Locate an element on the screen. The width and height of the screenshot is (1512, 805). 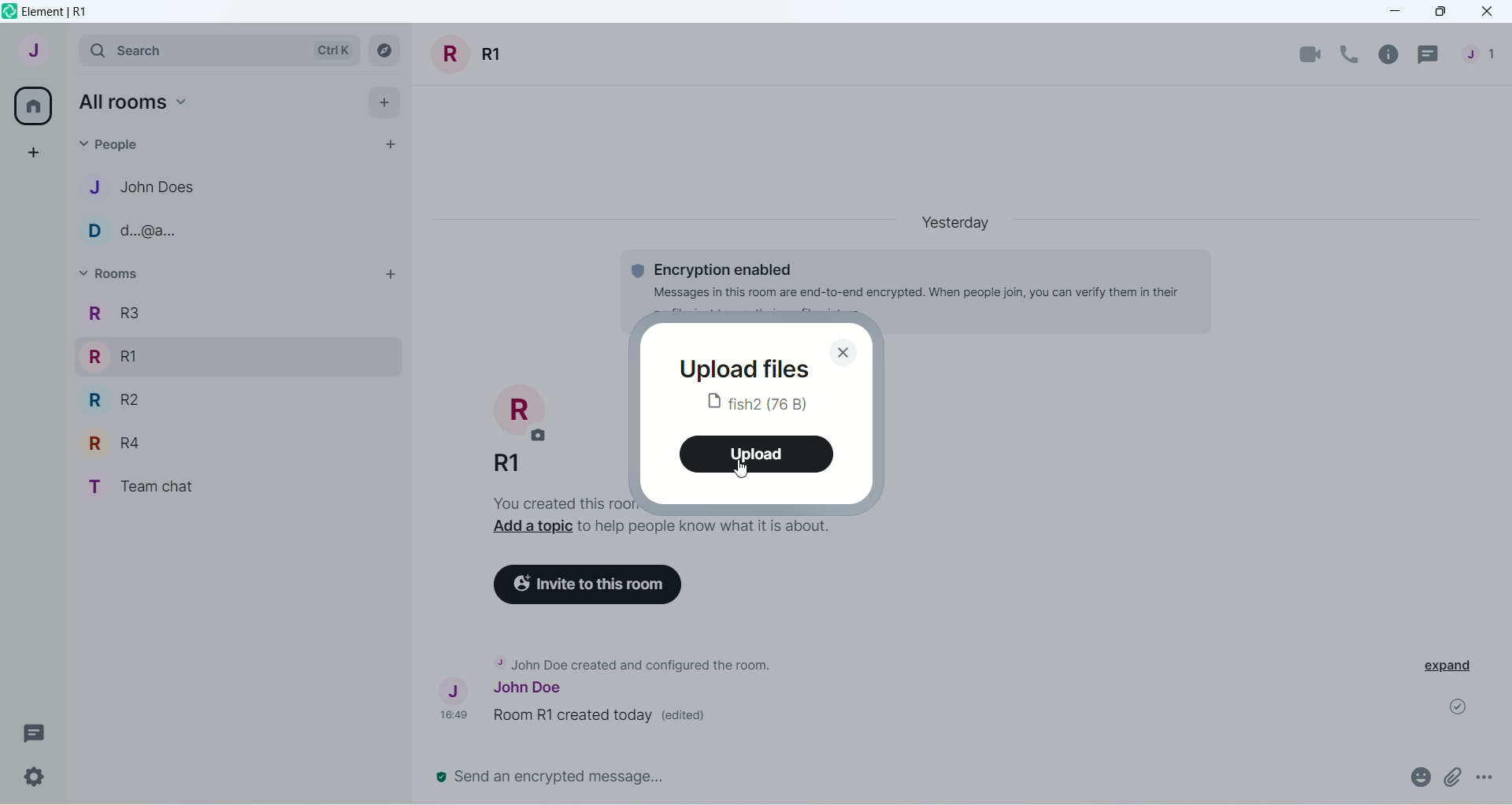
Cursor is located at coordinates (743, 473).